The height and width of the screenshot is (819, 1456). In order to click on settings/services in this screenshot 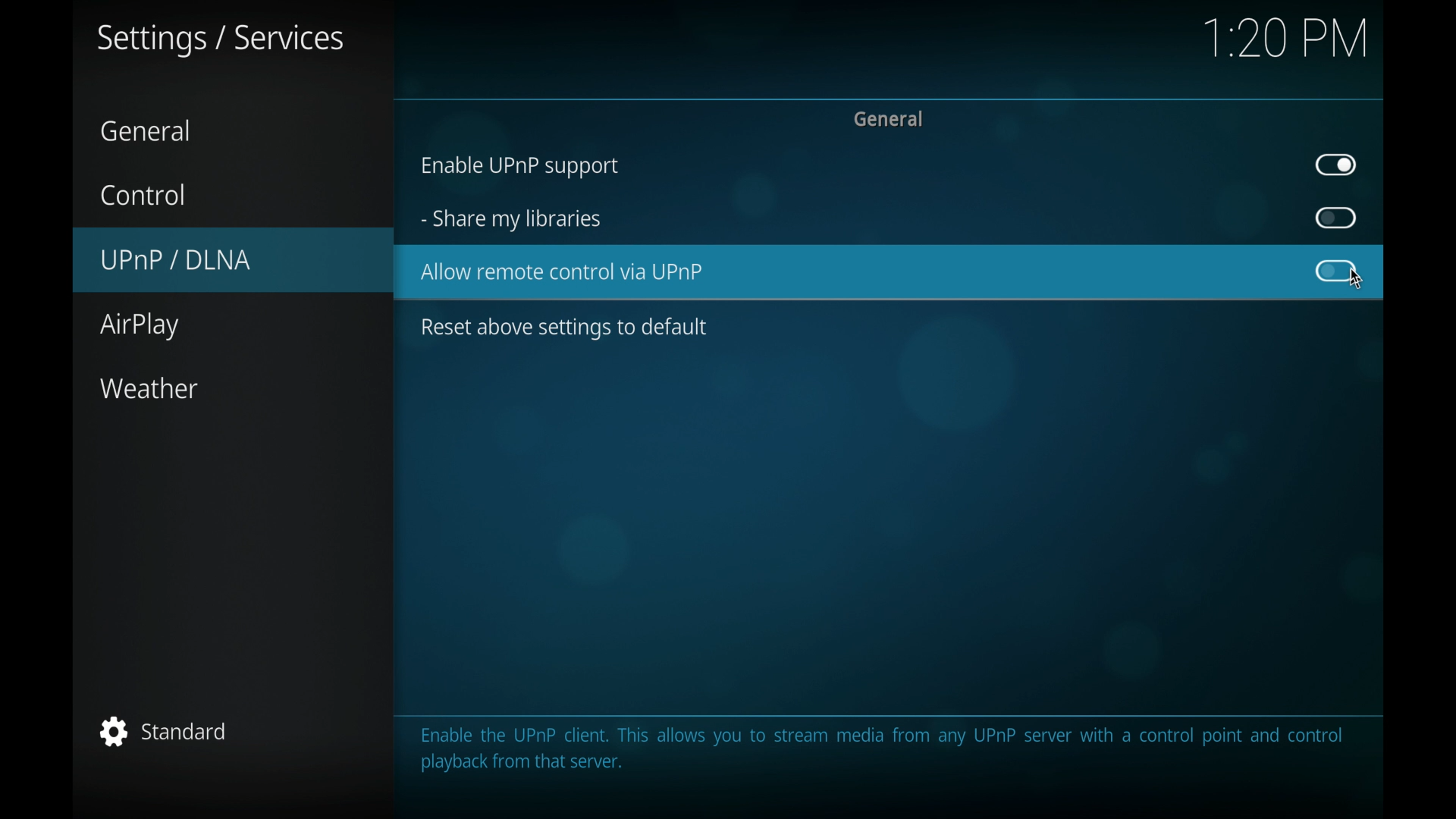, I will do `click(219, 40)`.